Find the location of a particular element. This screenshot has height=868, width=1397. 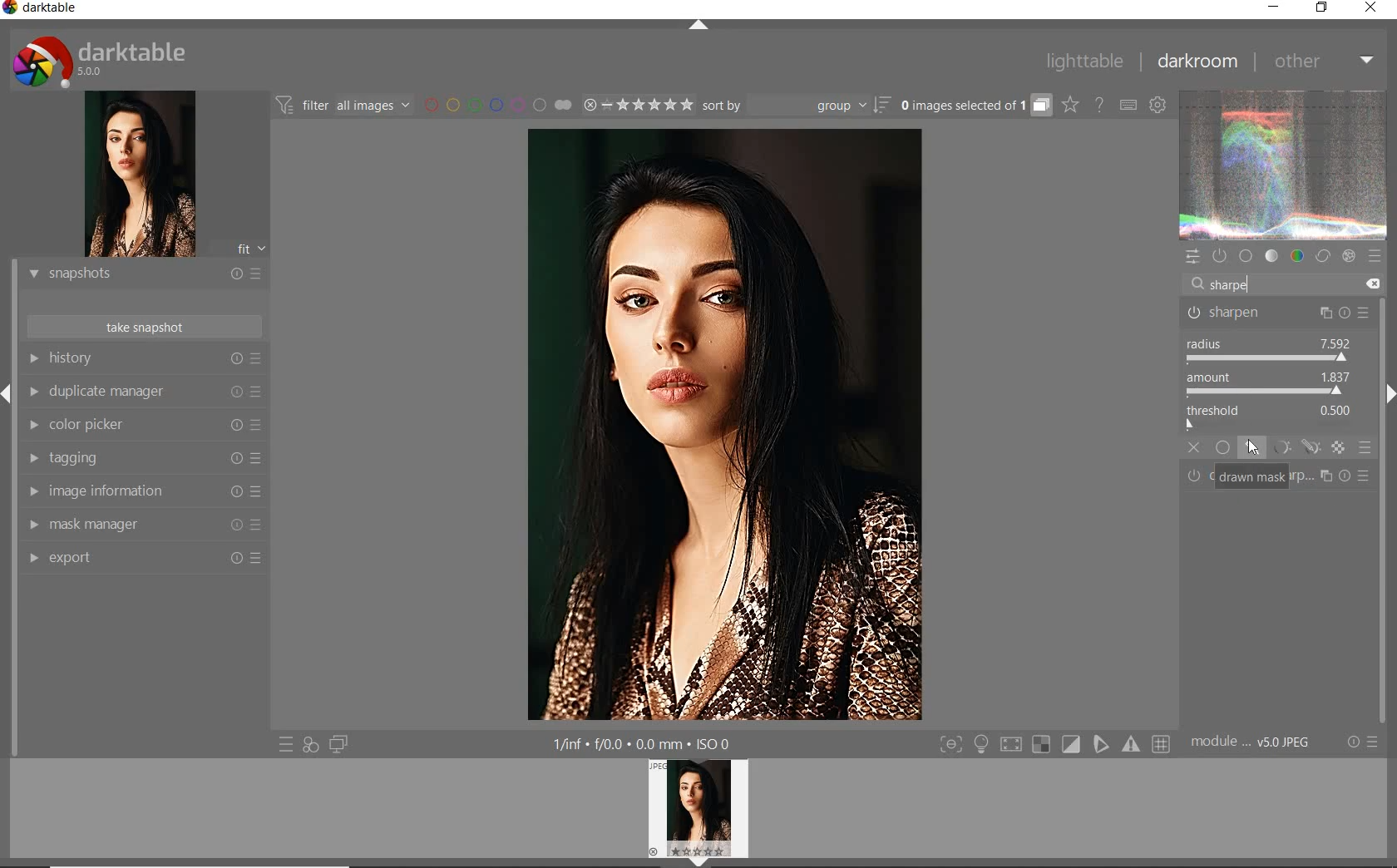

SYSTEM NAME is located at coordinates (46, 10).